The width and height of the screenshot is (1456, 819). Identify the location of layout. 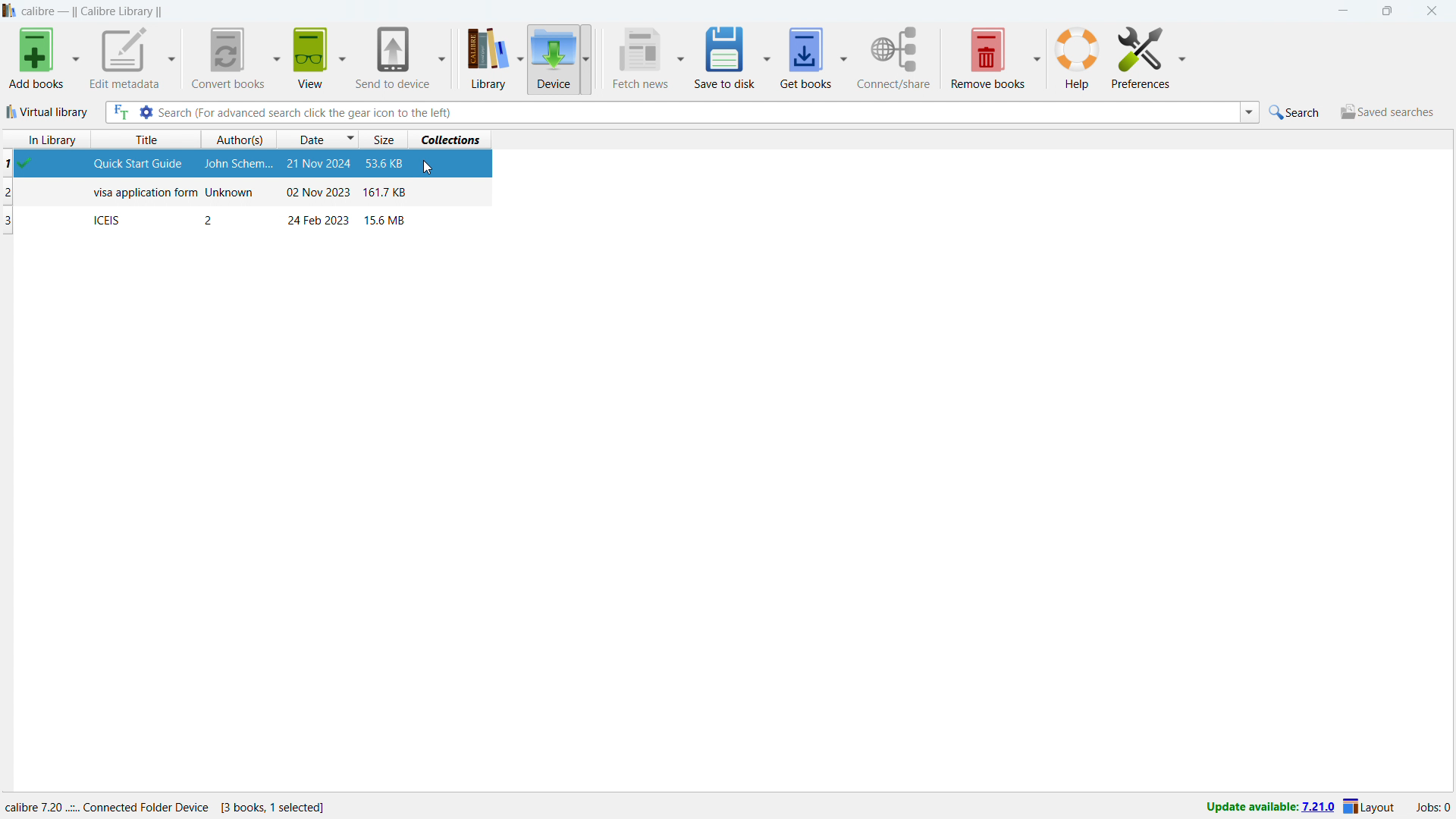
(1371, 807).